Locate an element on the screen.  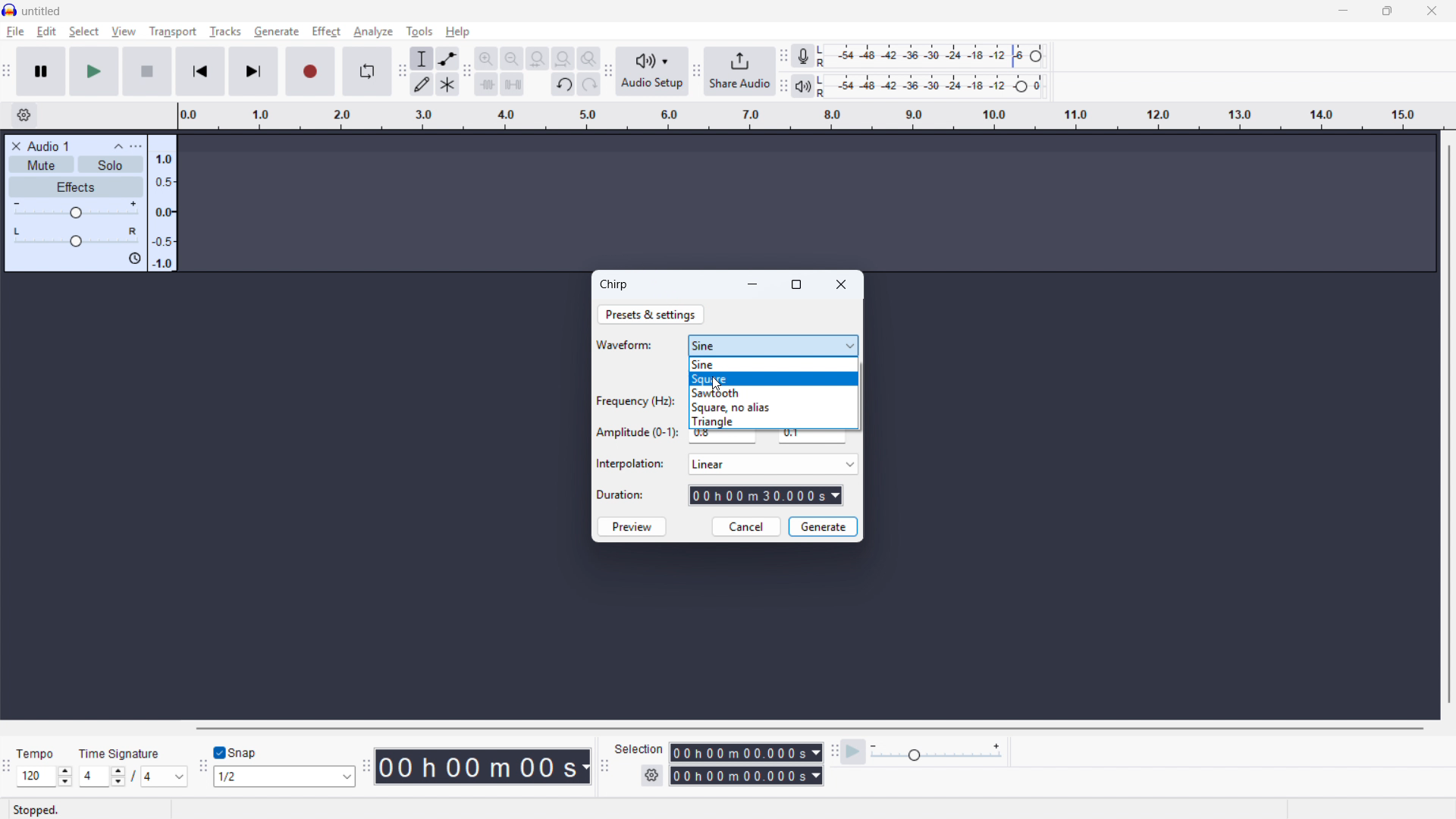
maximise  is located at coordinates (795, 284).